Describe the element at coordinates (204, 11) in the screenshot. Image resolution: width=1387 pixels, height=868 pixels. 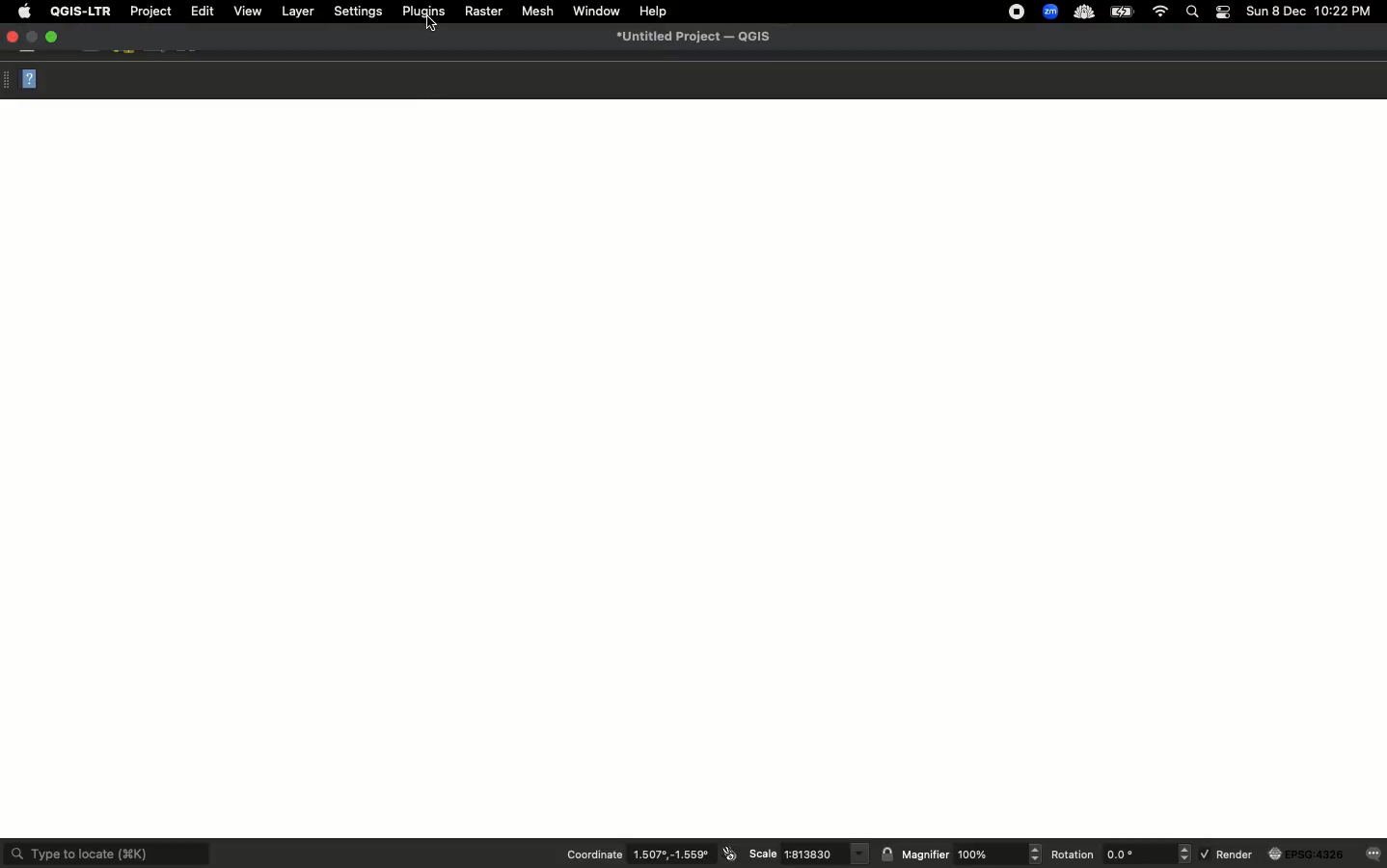
I see `Edit` at that location.